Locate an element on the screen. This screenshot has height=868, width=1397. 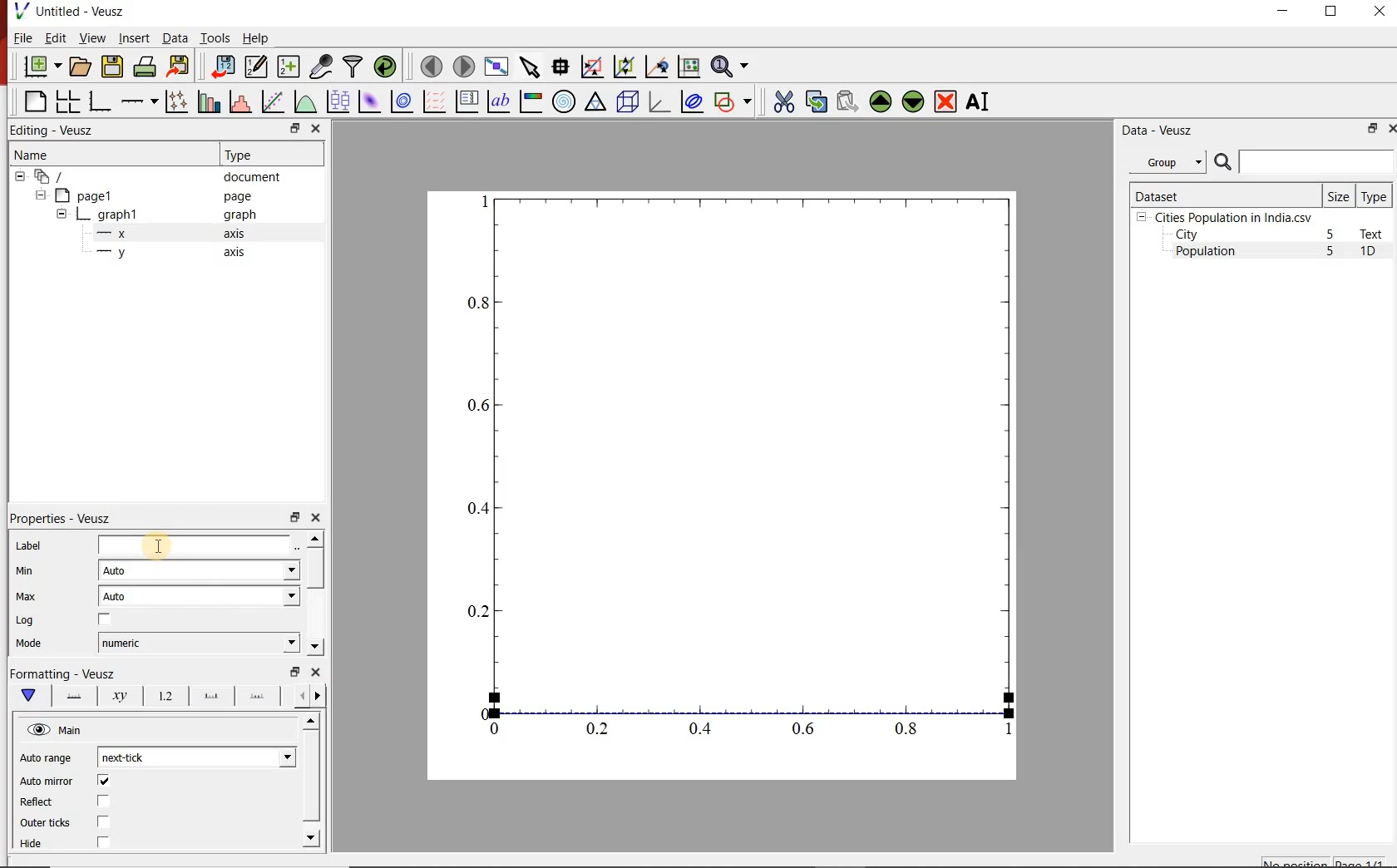
Outer ticks is located at coordinates (44, 822).